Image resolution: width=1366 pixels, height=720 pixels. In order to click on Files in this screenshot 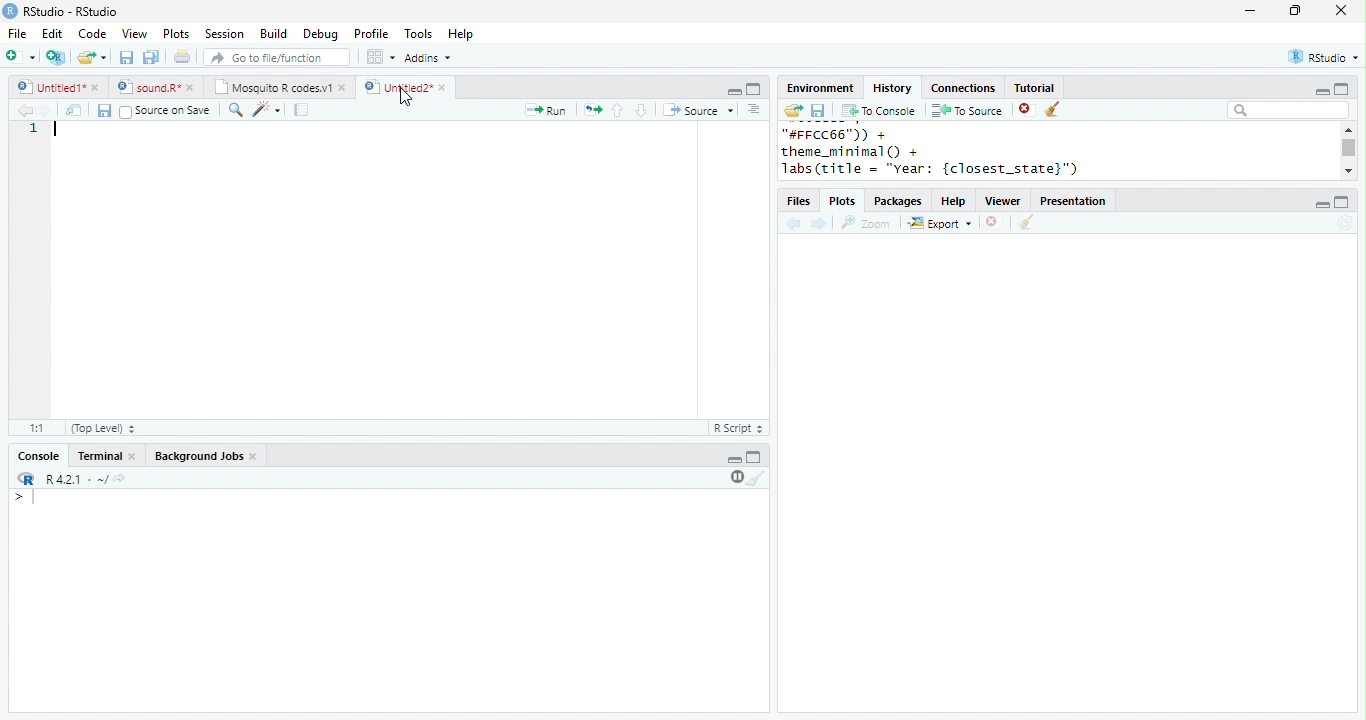, I will do `click(798, 201)`.